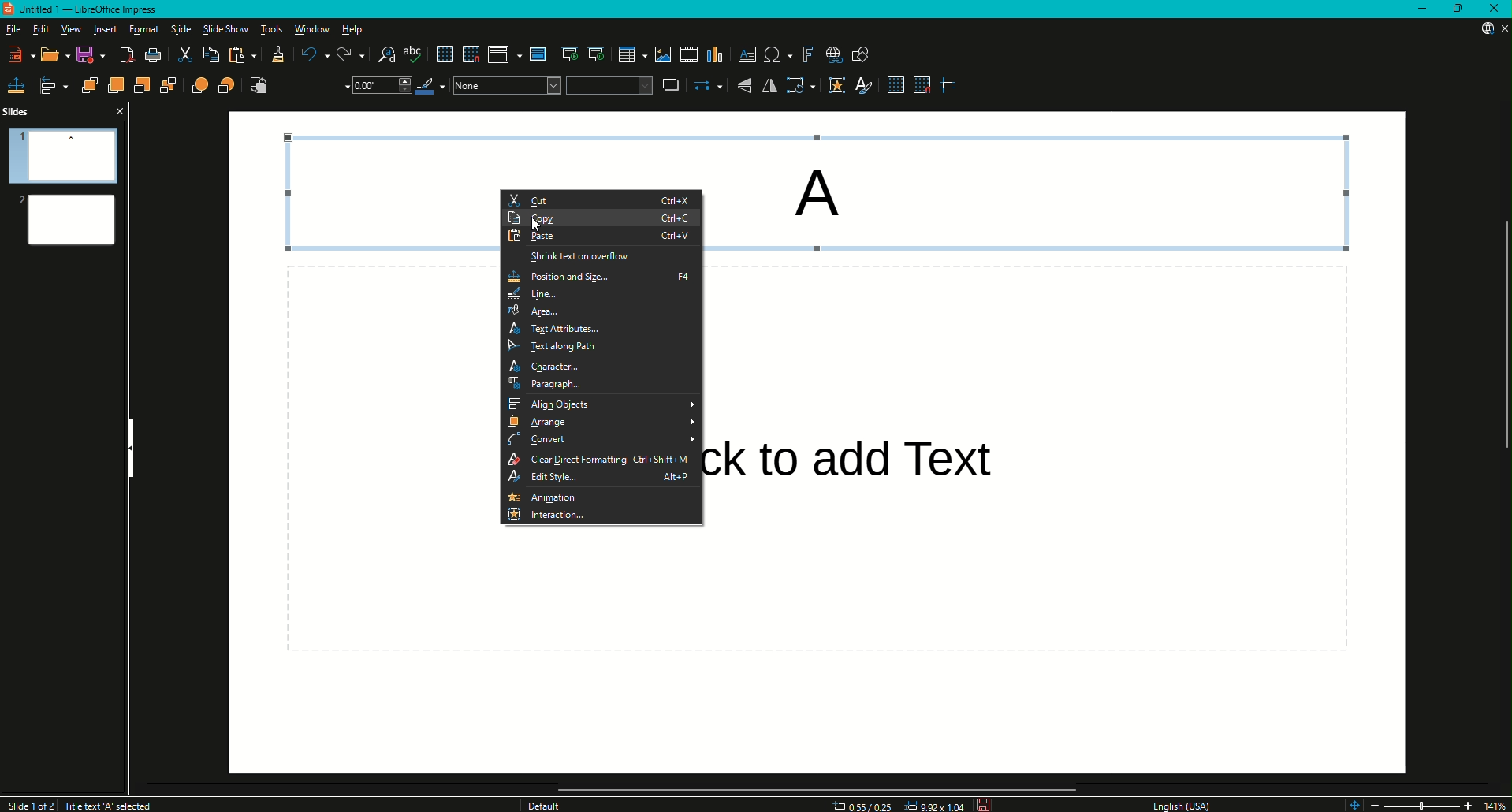 This screenshot has height=812, width=1512. I want to click on Bring Forward, so click(114, 85).